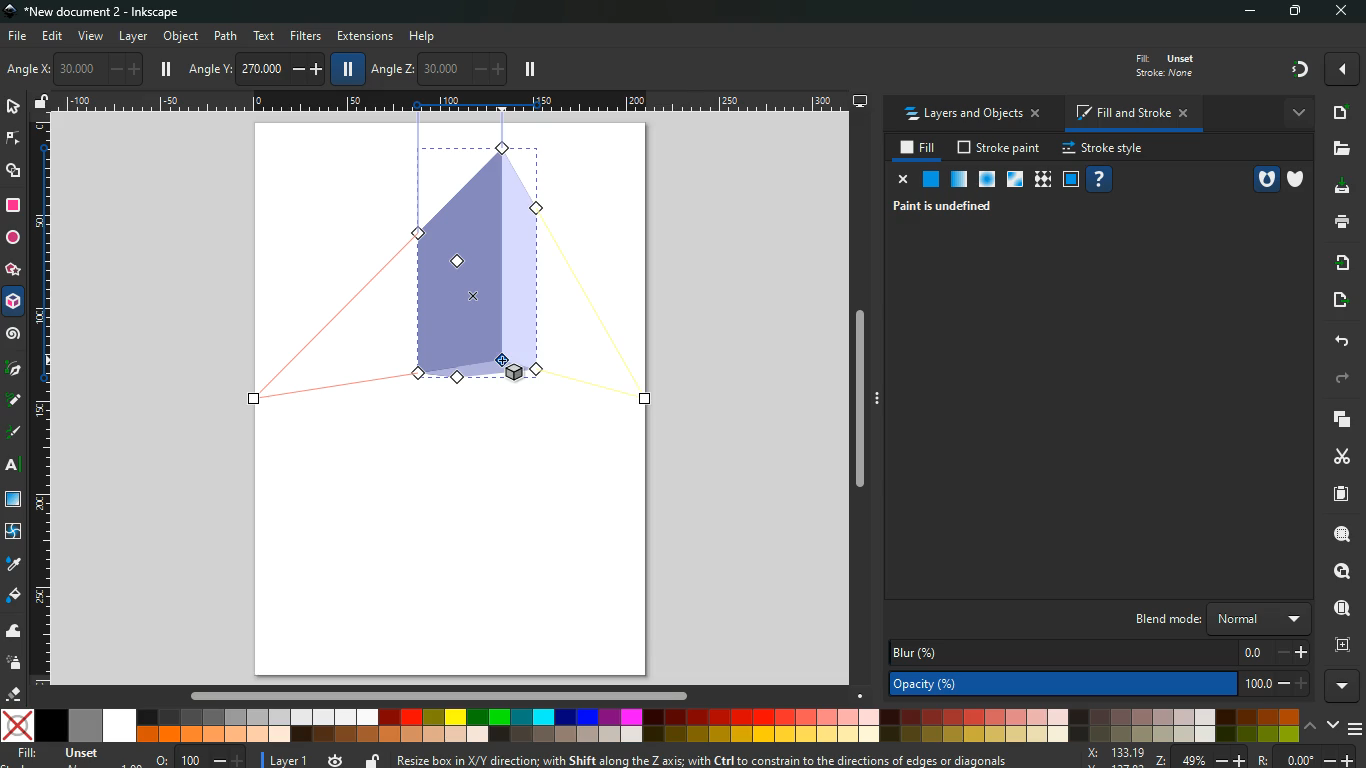 The image size is (1366, 768). What do you see at coordinates (16, 696) in the screenshot?
I see `eraser` at bounding box center [16, 696].